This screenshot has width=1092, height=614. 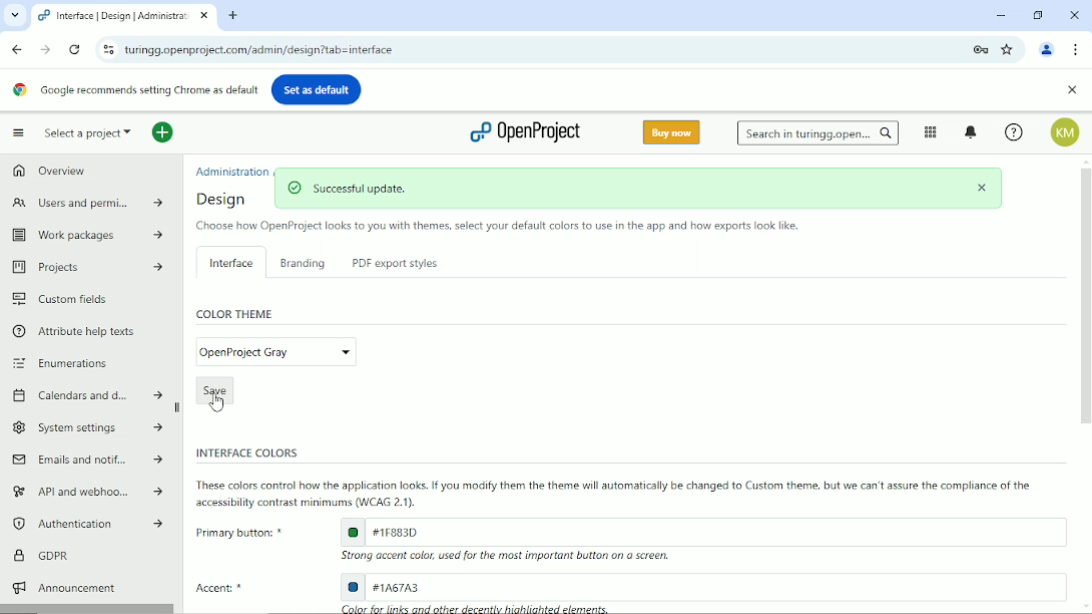 What do you see at coordinates (84, 204) in the screenshot?
I see `Users and permissions` at bounding box center [84, 204].